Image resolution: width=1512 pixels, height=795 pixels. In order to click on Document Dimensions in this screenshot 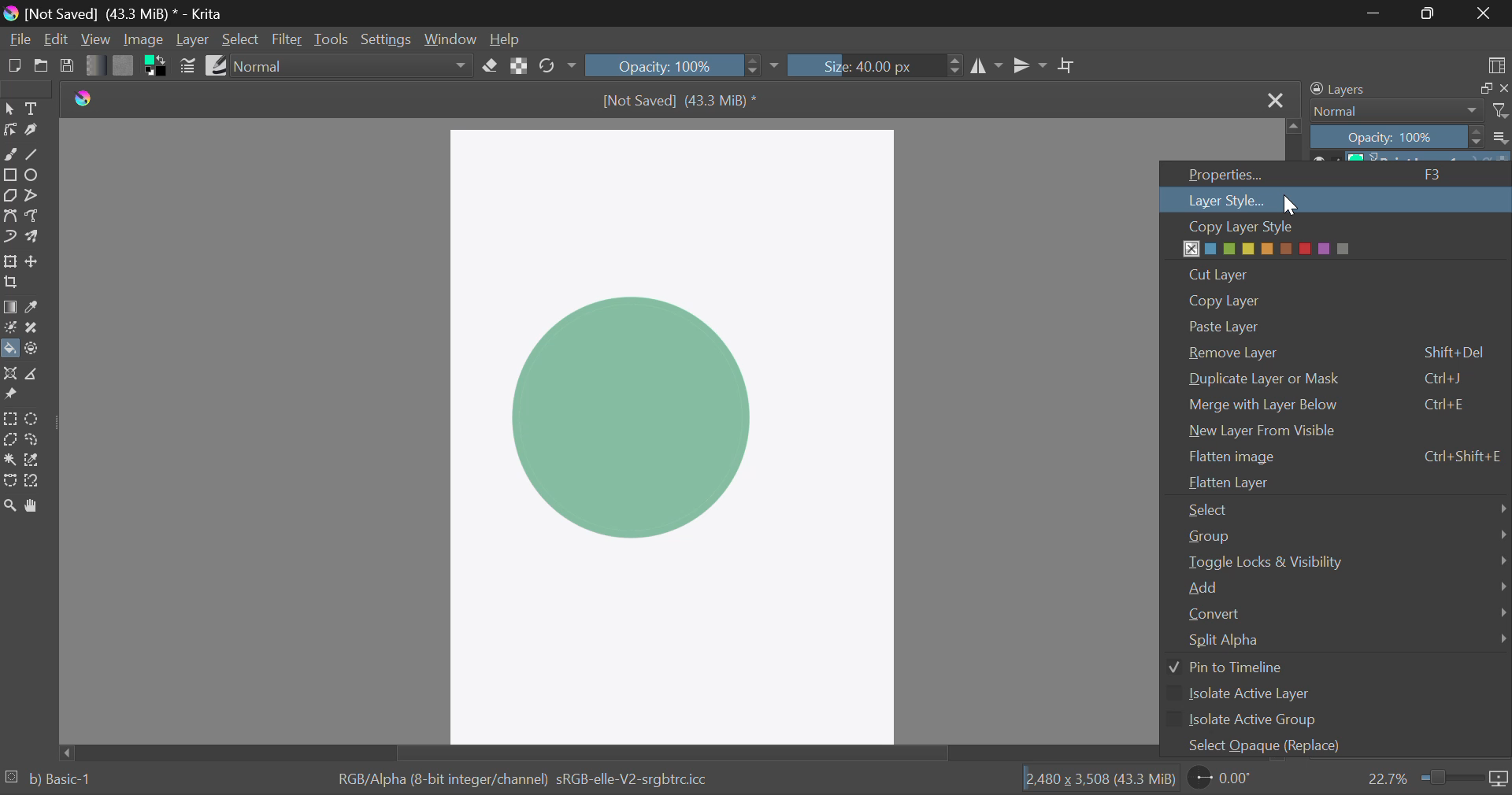, I will do `click(1096, 780)`.